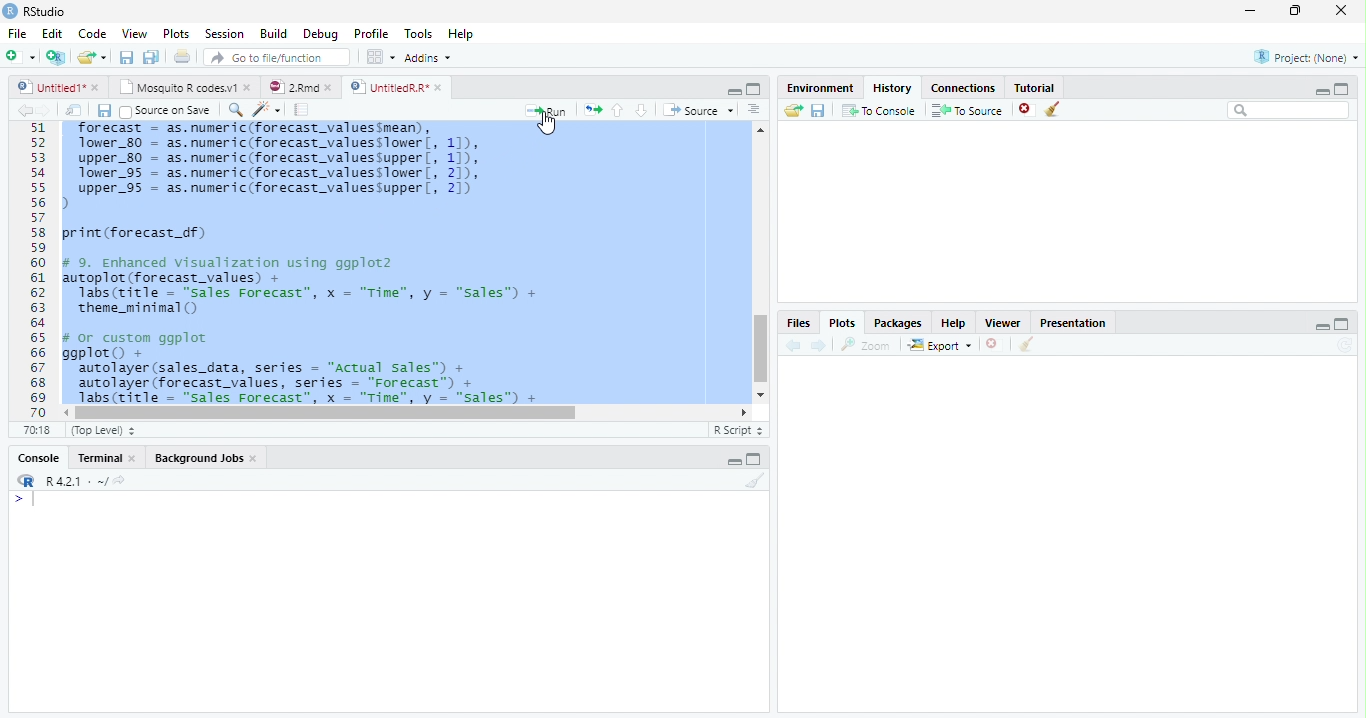  What do you see at coordinates (277, 57) in the screenshot?
I see `Go to file/function` at bounding box center [277, 57].